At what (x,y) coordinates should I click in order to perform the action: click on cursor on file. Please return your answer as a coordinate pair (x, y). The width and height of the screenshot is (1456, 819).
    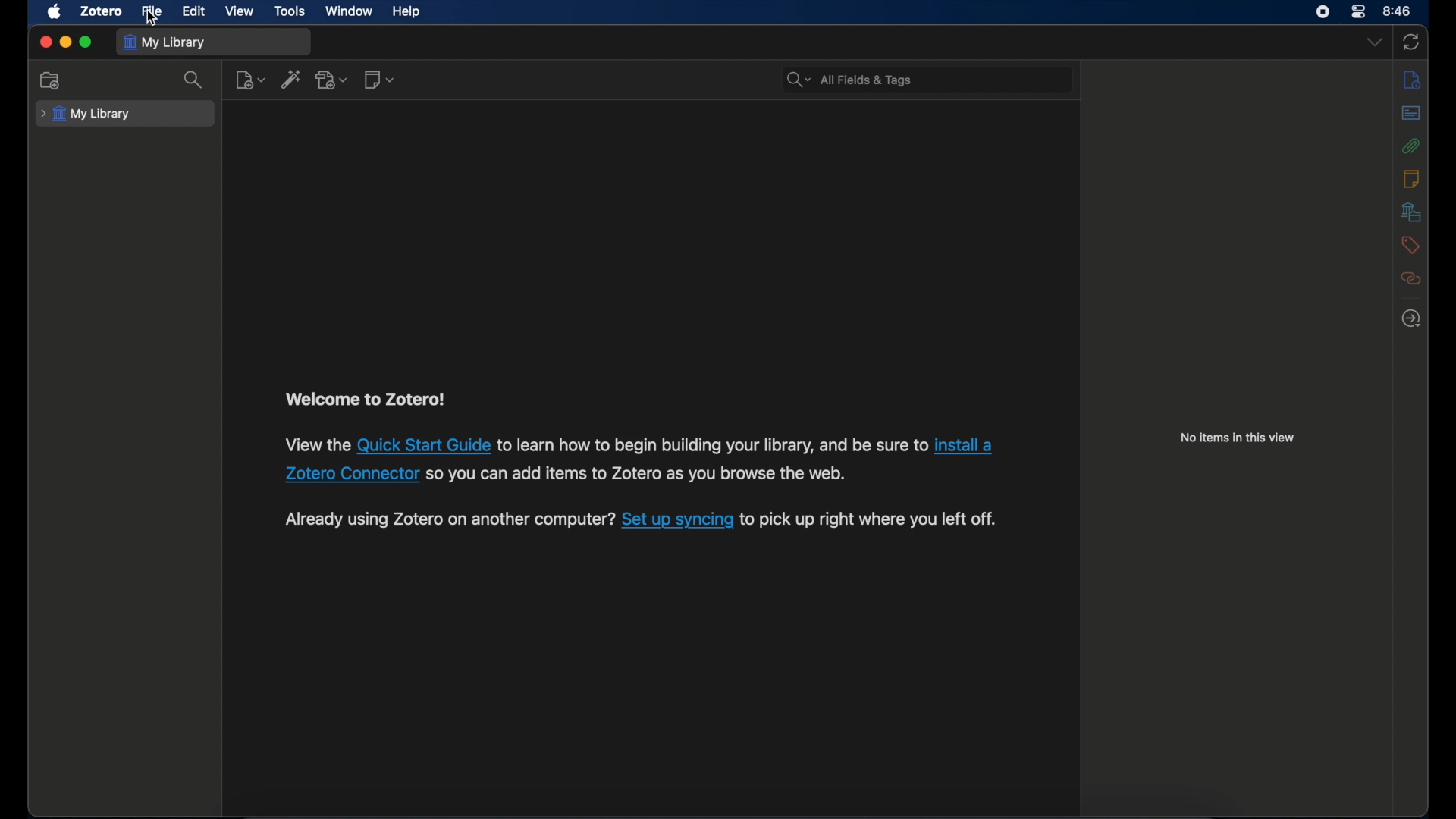
    Looking at the image, I should click on (149, 18).